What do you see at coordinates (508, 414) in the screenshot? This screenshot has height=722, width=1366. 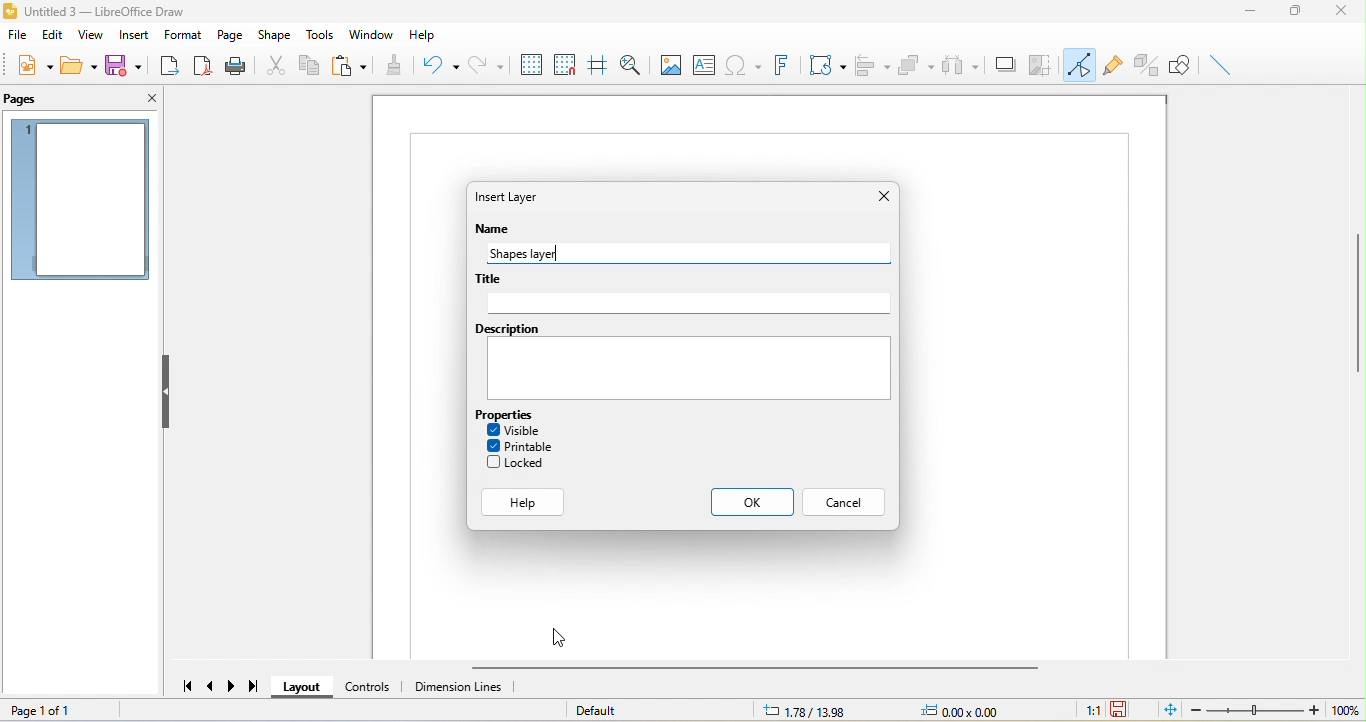 I see `properties` at bounding box center [508, 414].